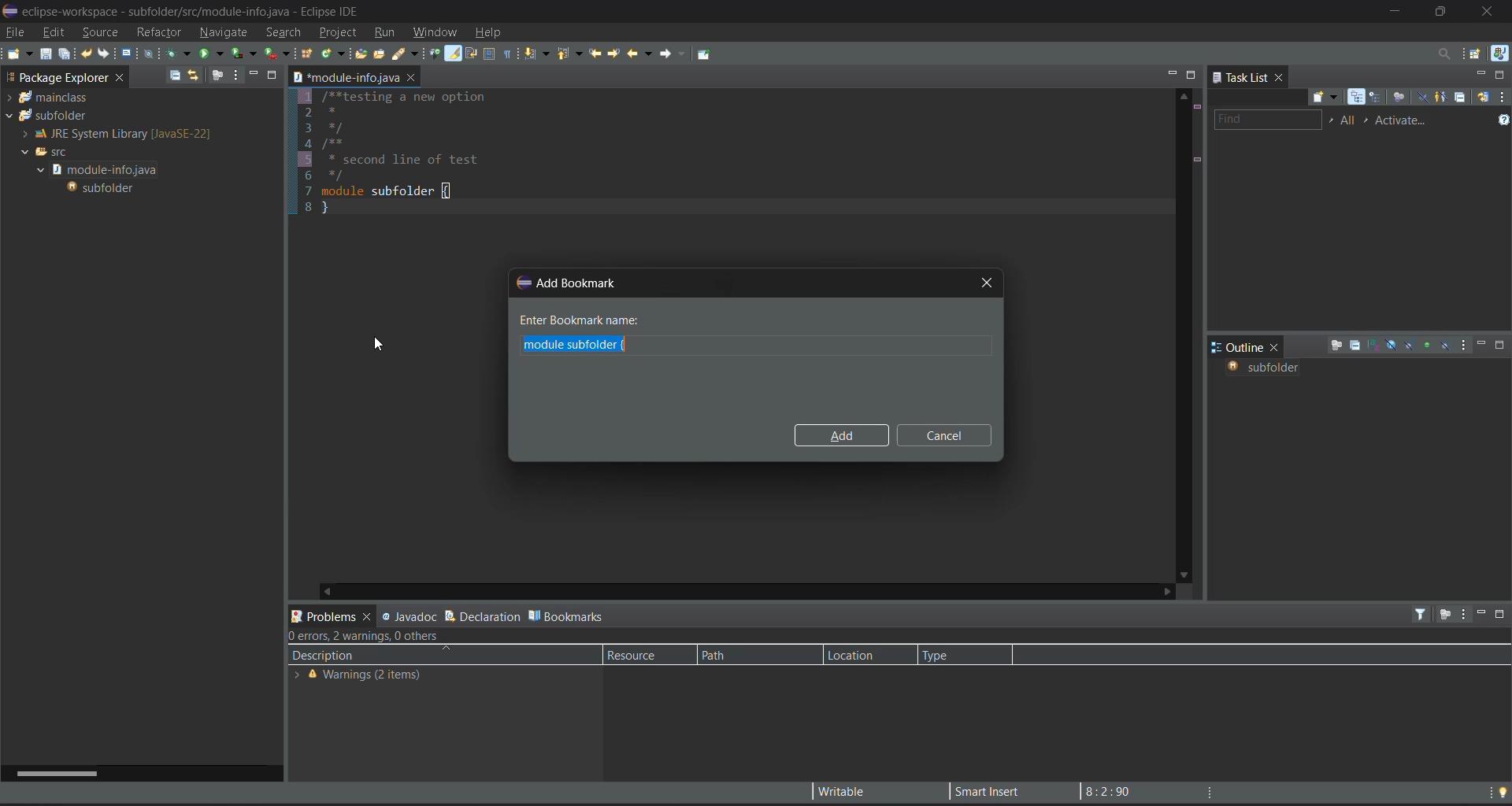  I want to click on source, so click(102, 29).